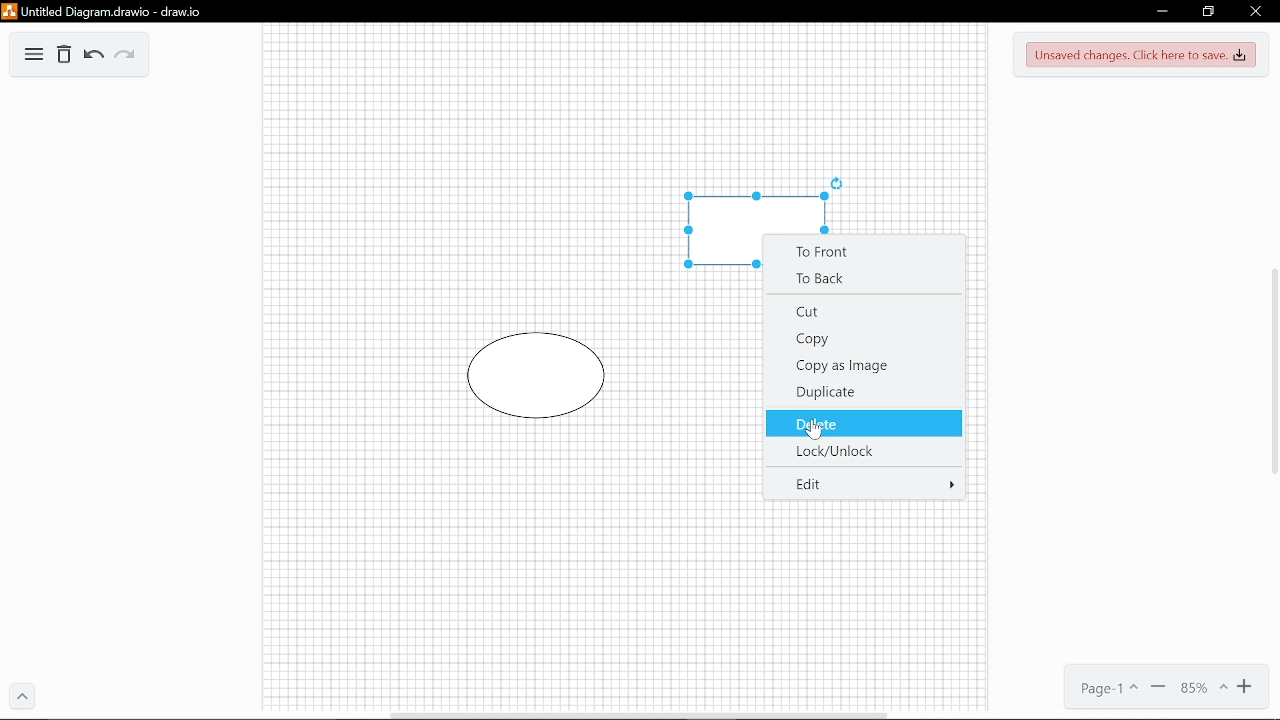 Image resolution: width=1280 pixels, height=720 pixels. What do you see at coordinates (1158, 689) in the screenshot?
I see `Zoom out` at bounding box center [1158, 689].